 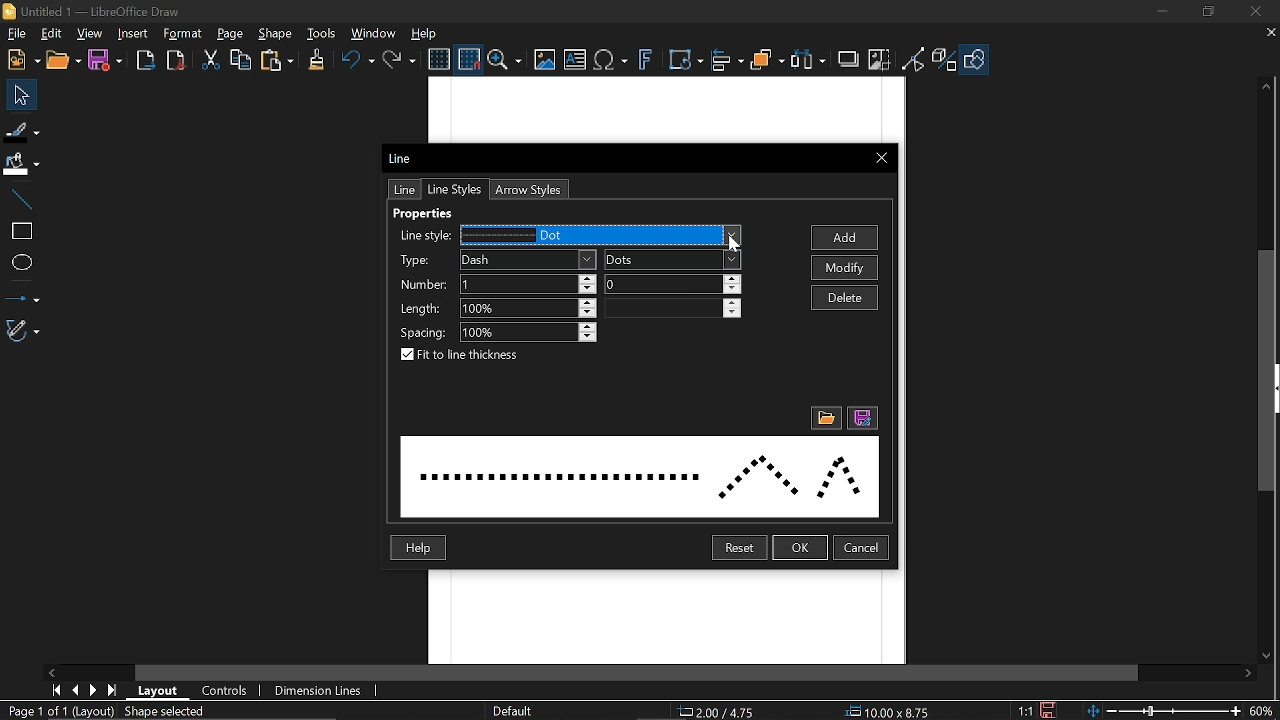 I want to click on Reset, so click(x=739, y=549).